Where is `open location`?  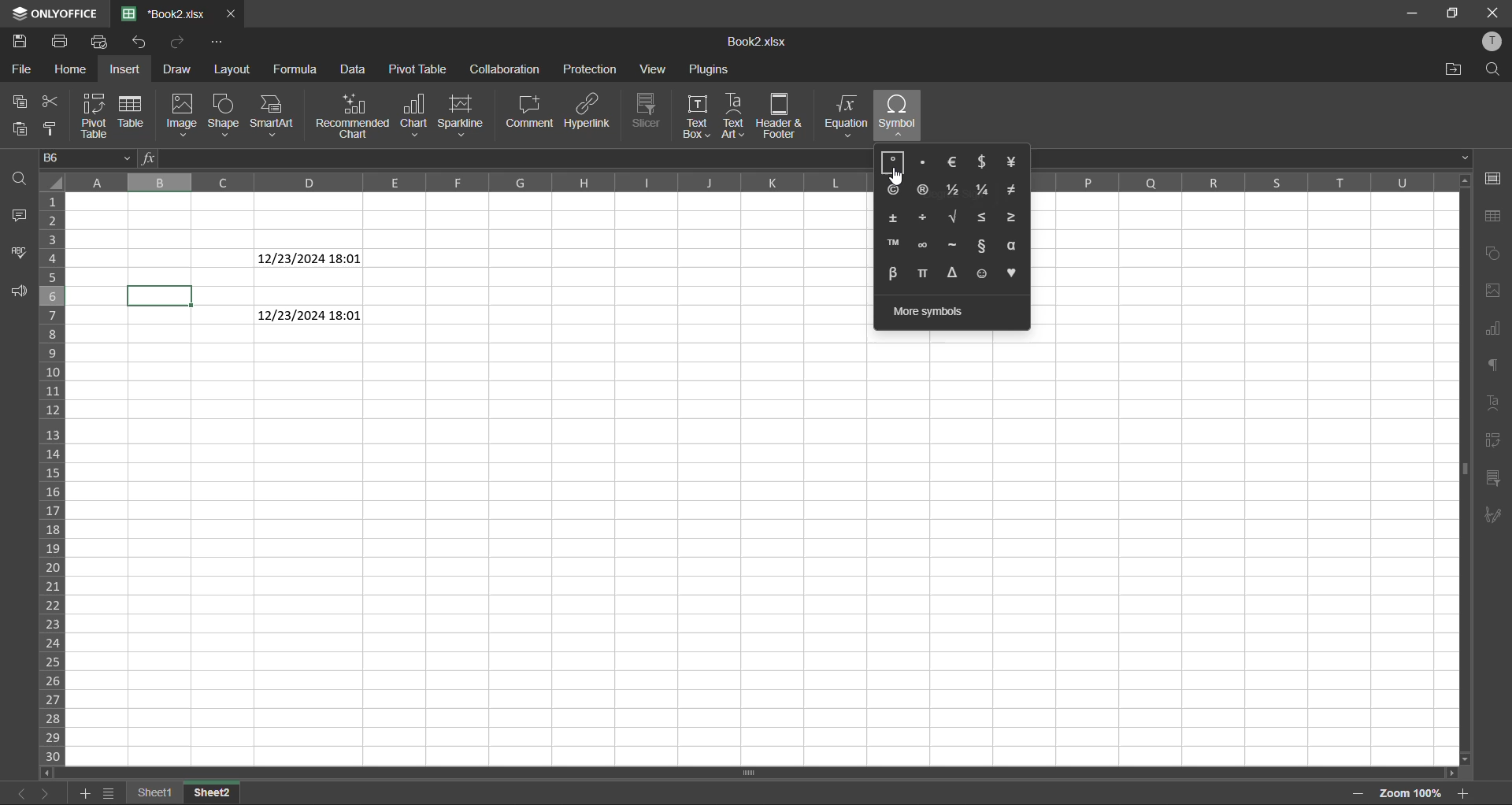
open location is located at coordinates (1451, 71).